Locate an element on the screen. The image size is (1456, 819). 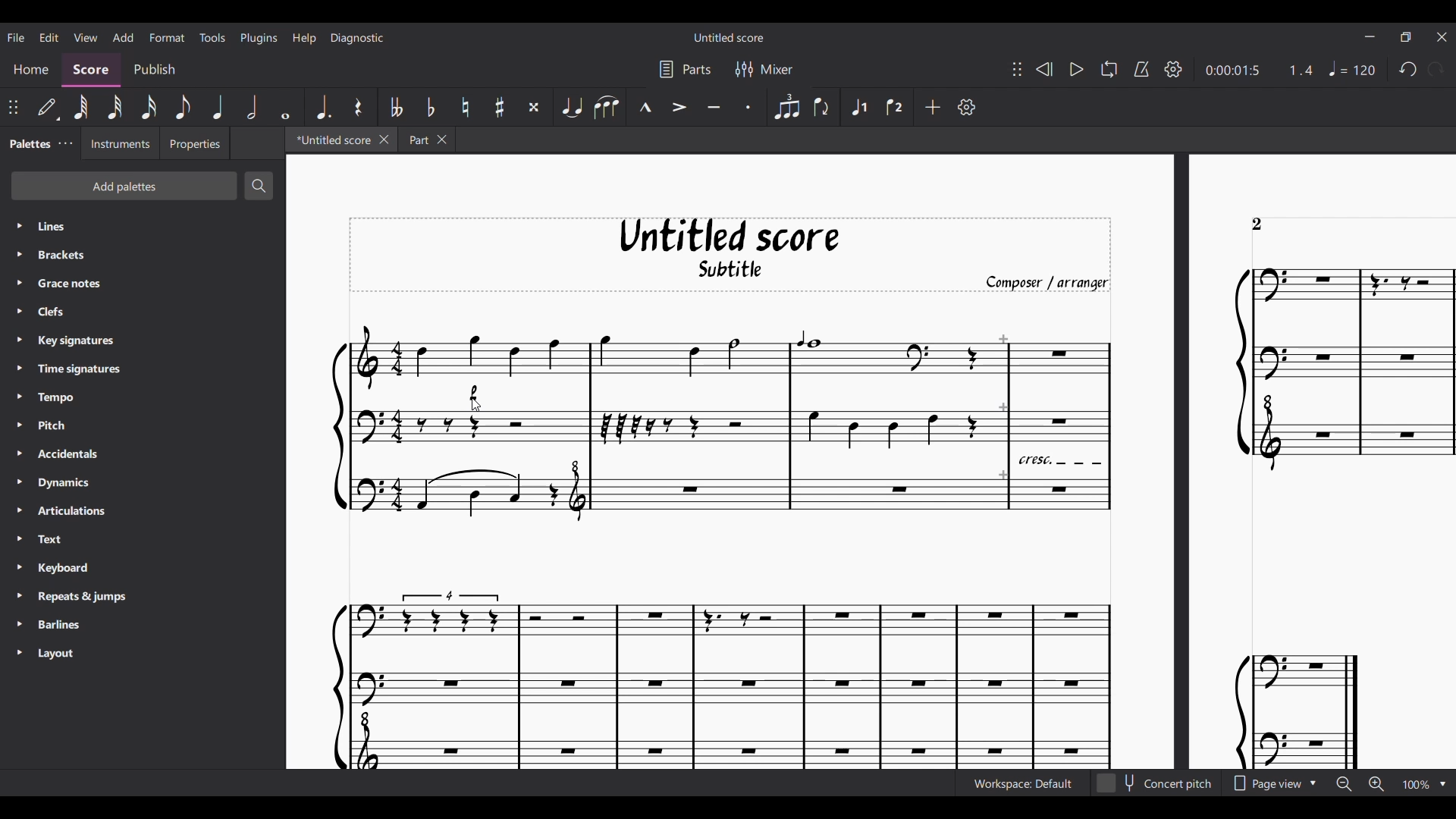
Playback setting is located at coordinates (1173, 69).